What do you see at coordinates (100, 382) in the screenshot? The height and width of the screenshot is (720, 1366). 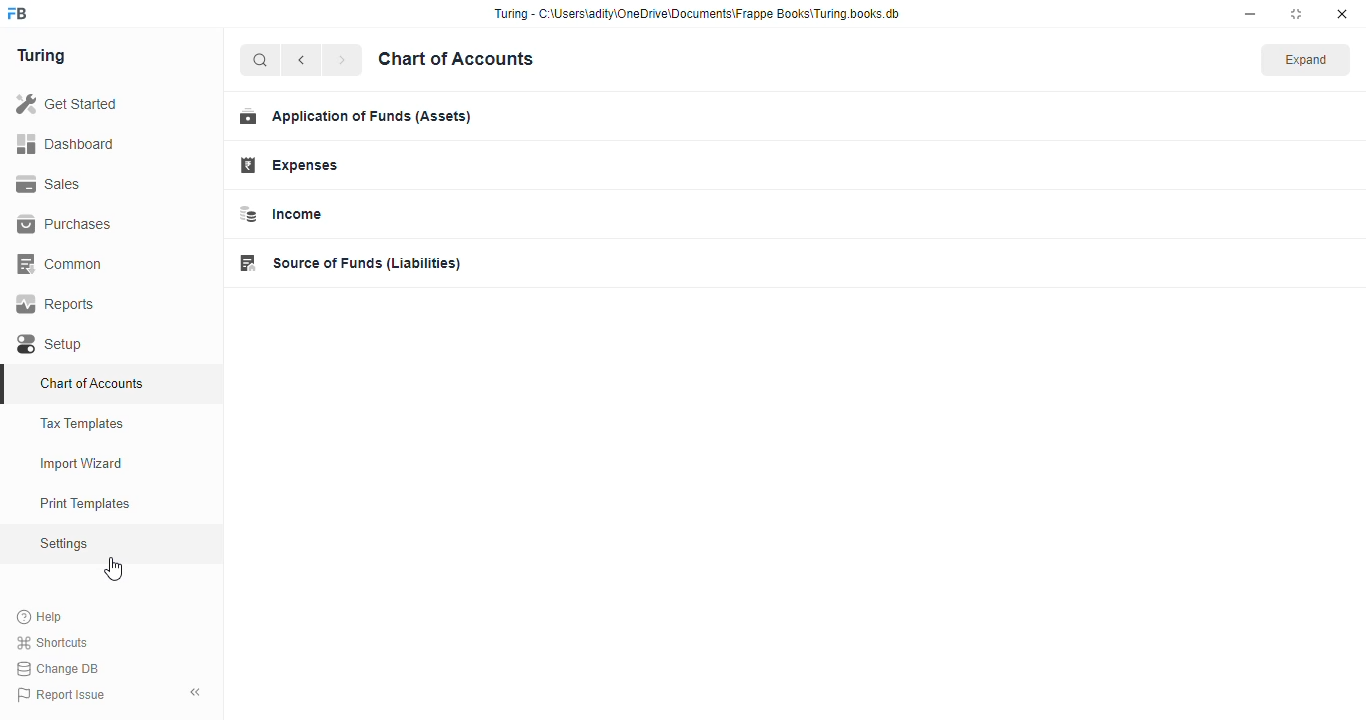 I see `Chart of Accounts` at bounding box center [100, 382].